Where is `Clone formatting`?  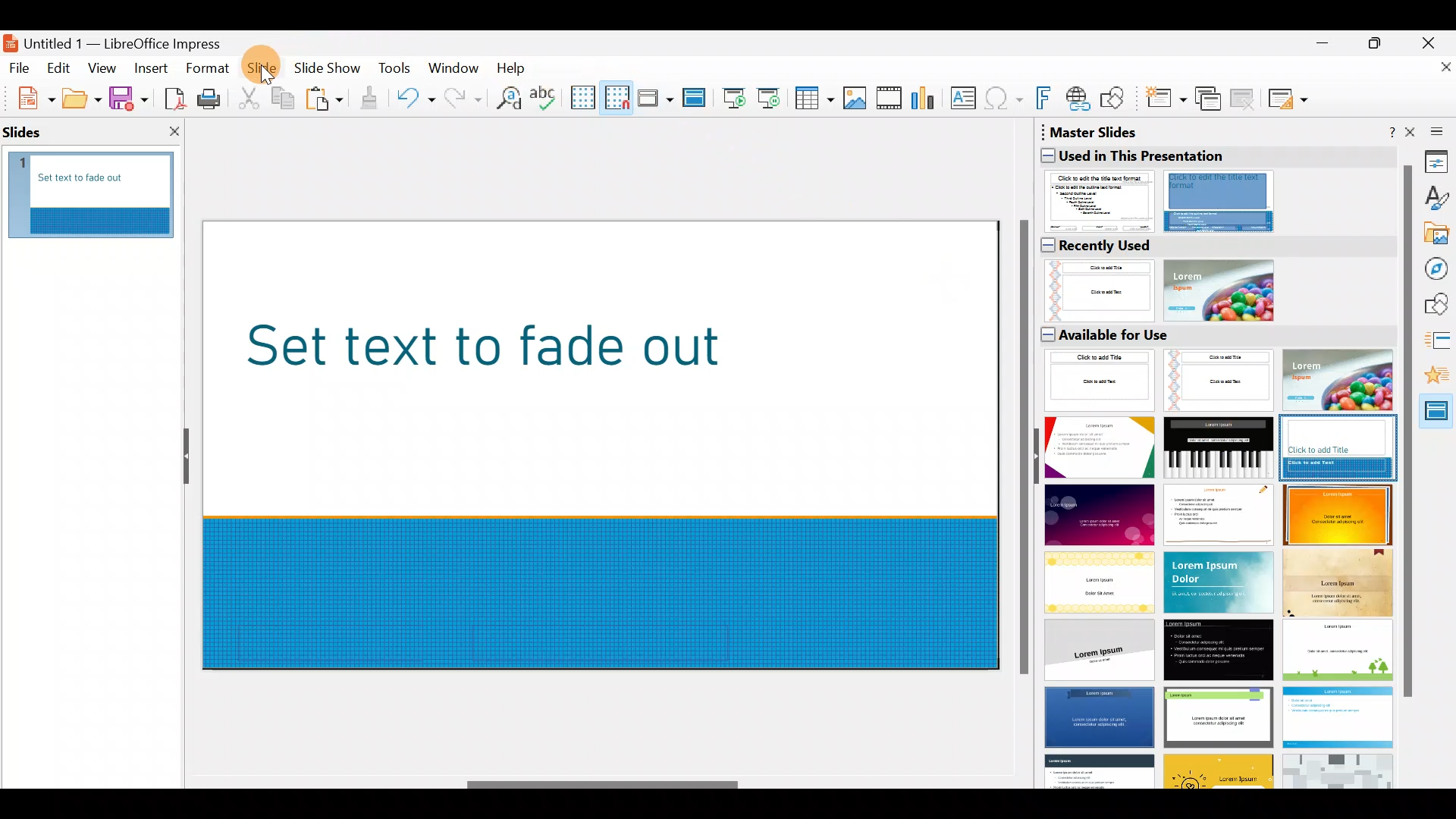 Clone formatting is located at coordinates (372, 99).